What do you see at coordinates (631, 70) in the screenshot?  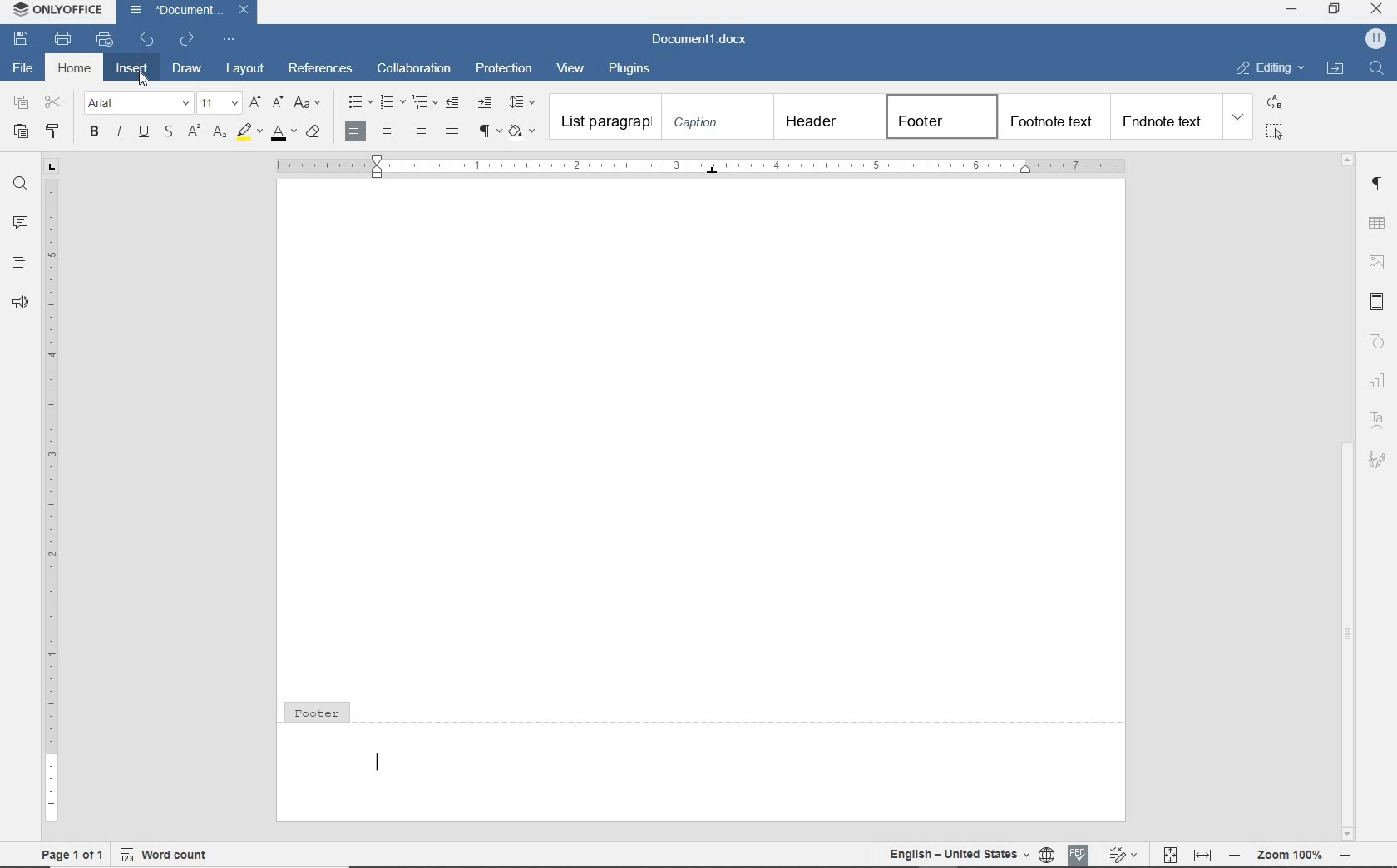 I see `plugins` at bounding box center [631, 70].